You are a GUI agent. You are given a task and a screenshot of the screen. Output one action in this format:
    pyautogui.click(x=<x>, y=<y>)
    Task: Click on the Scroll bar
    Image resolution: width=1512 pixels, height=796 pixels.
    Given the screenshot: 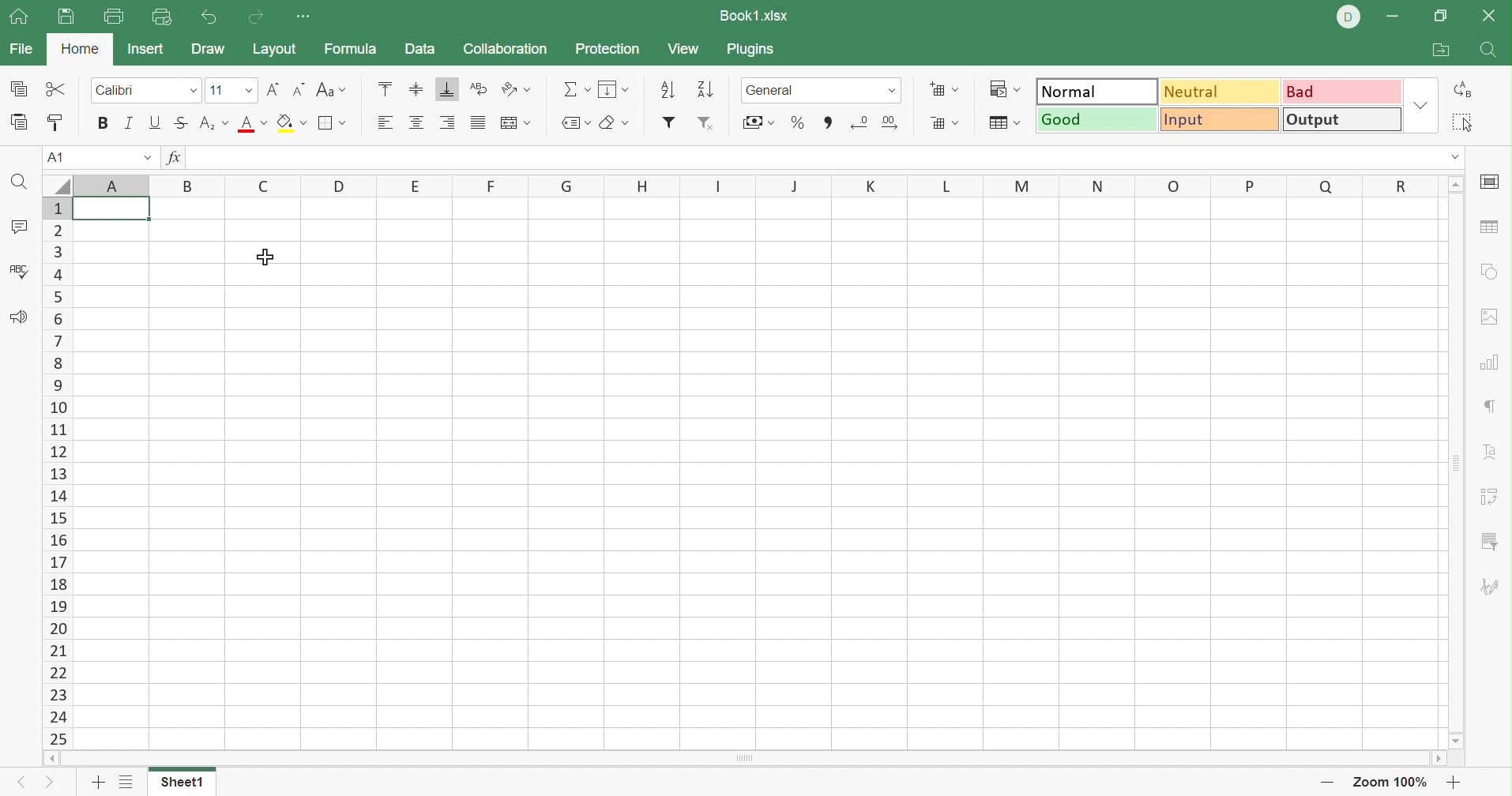 What is the action you would take?
    pyautogui.click(x=744, y=758)
    